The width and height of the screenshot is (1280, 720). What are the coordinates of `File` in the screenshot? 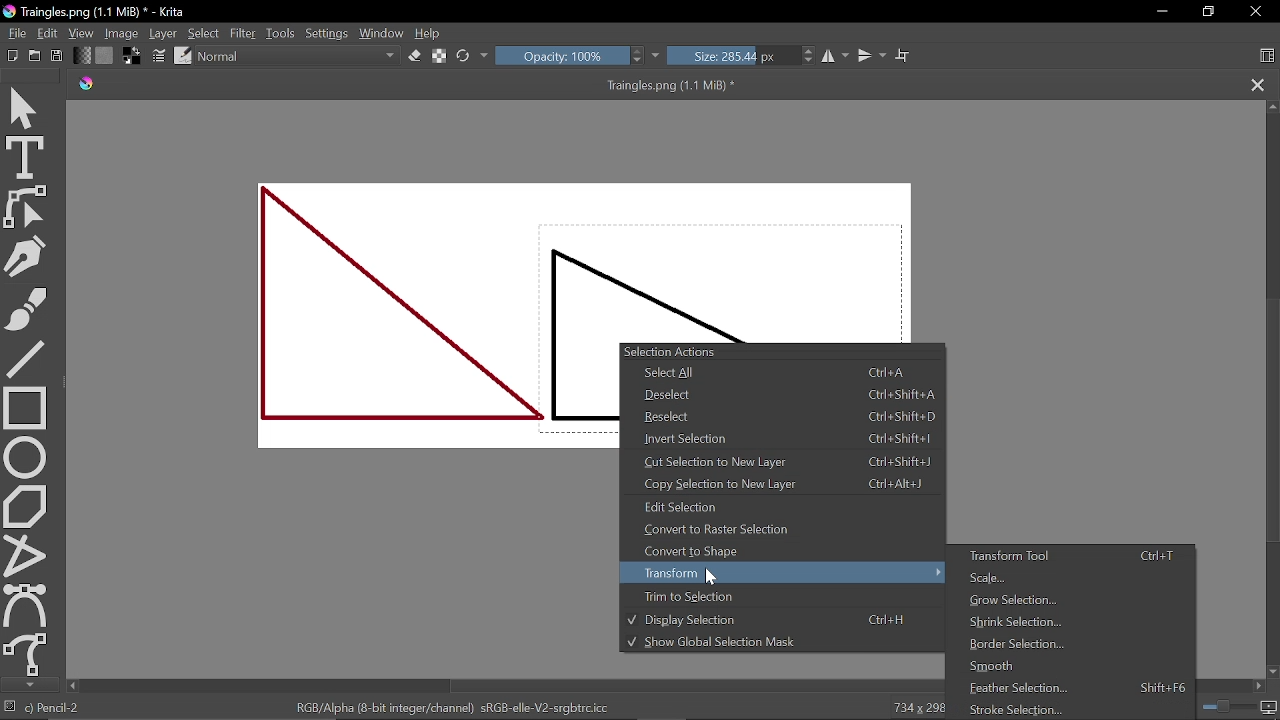 It's located at (15, 32).